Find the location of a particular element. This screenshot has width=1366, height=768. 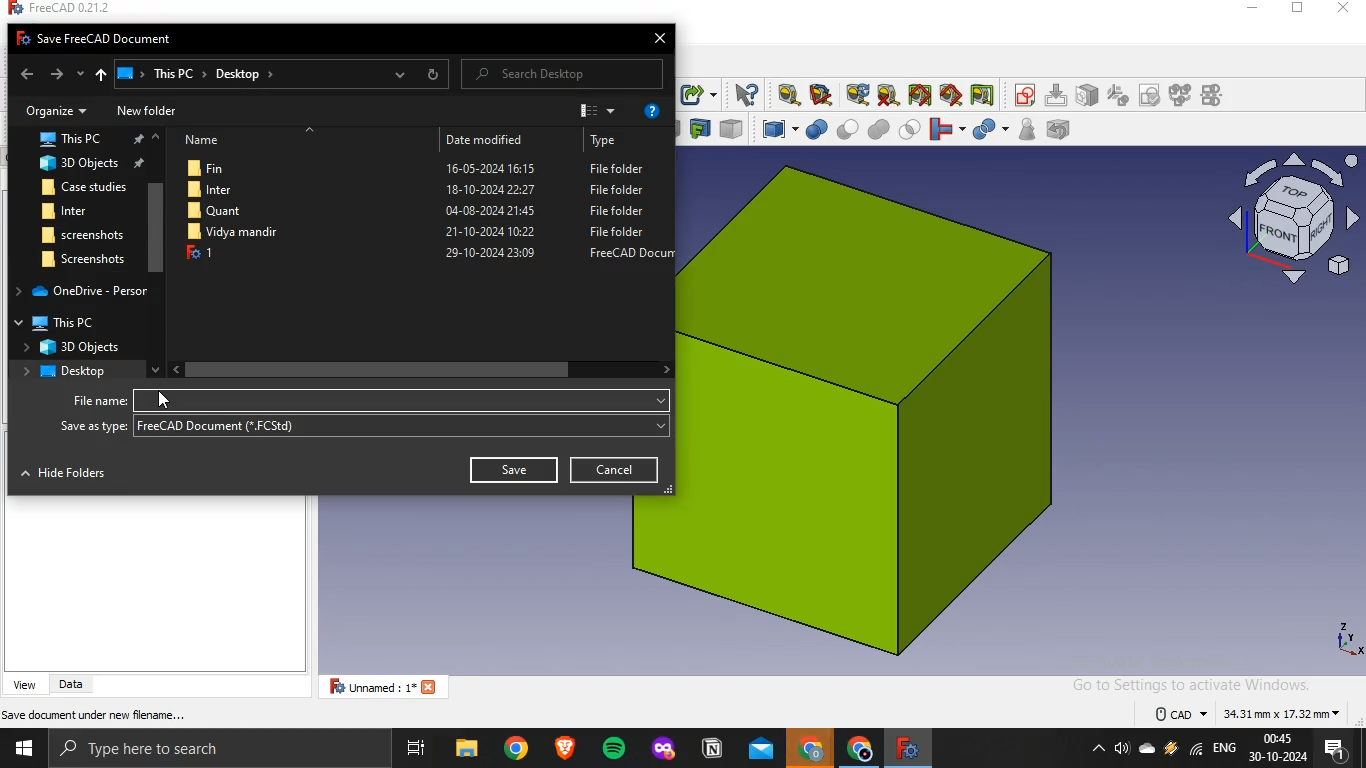

type here to search is located at coordinates (201, 749).